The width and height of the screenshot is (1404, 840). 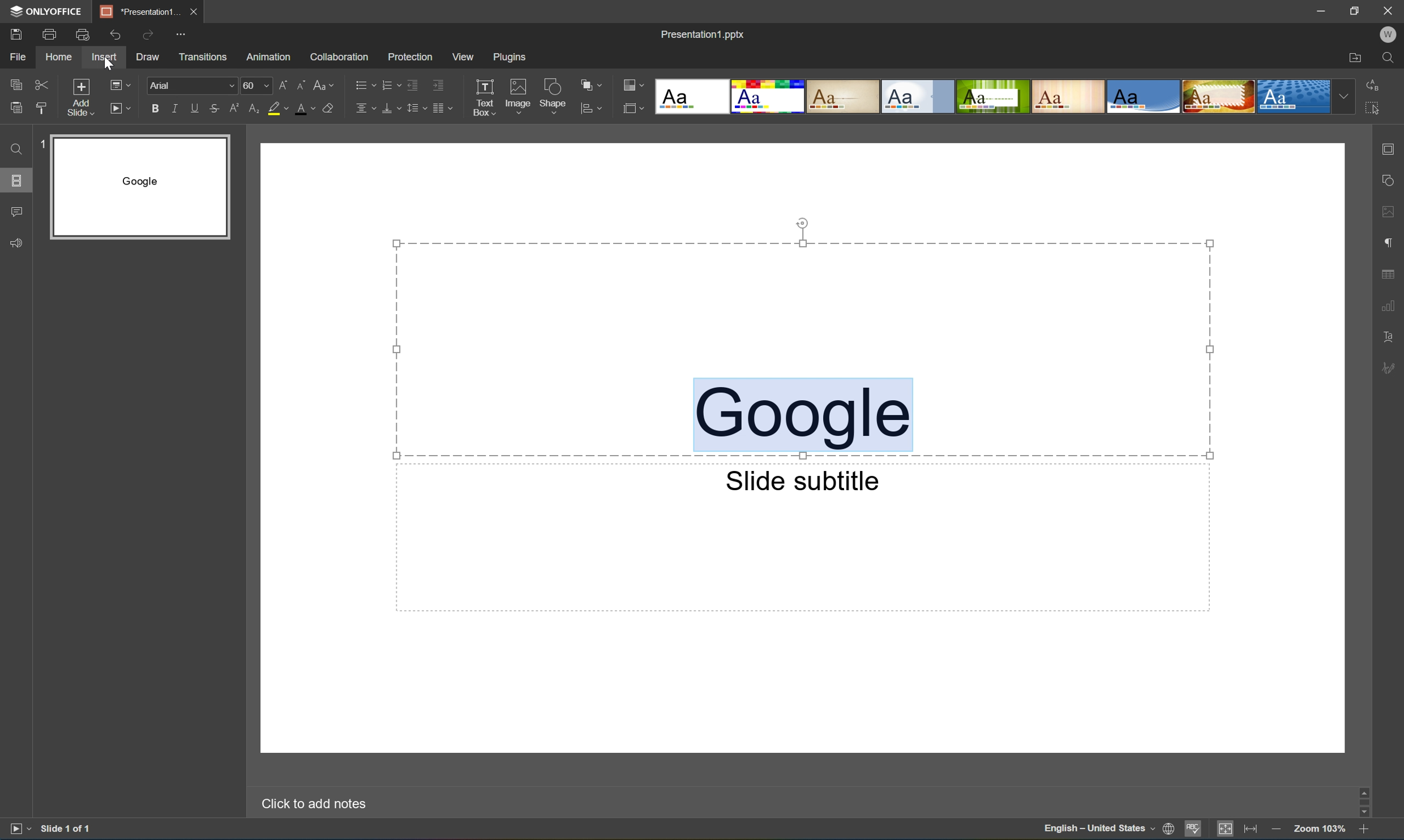 I want to click on Add slide, so click(x=84, y=97).